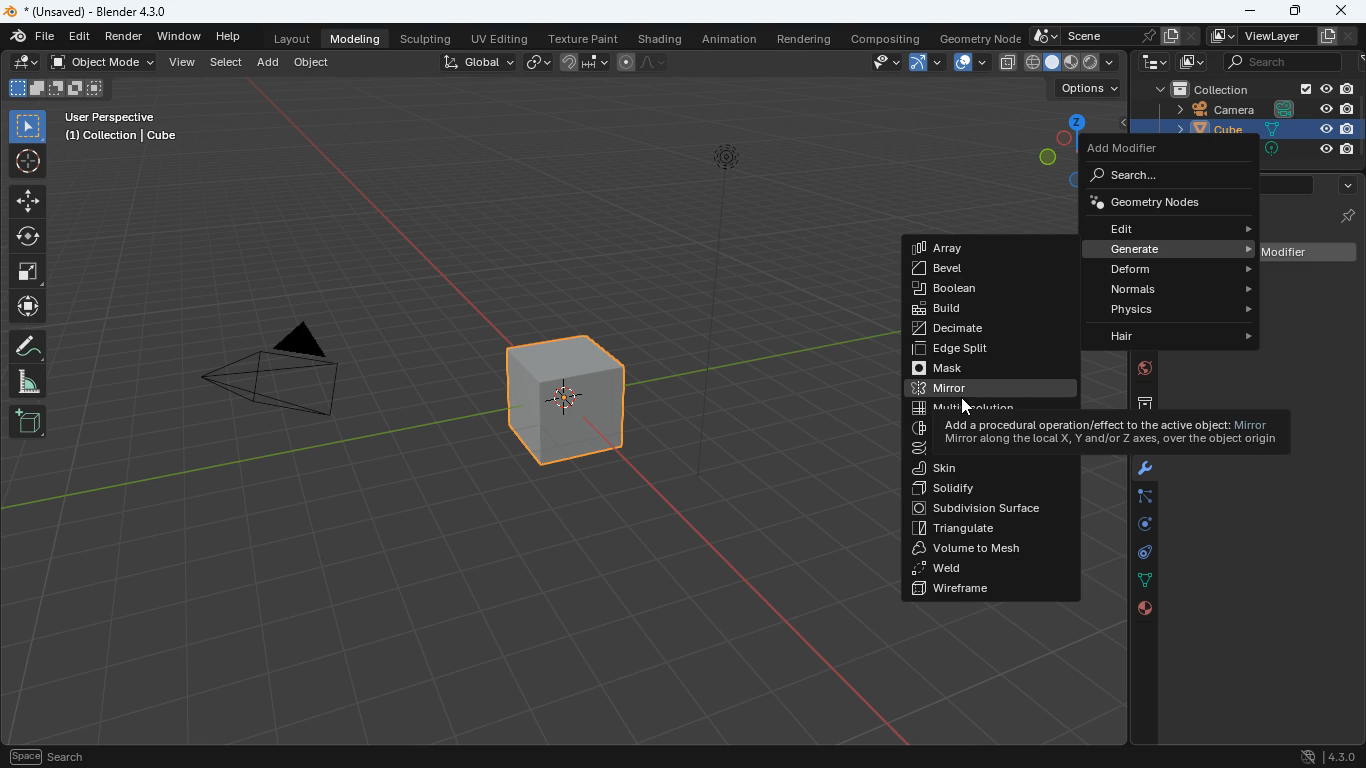 The width and height of the screenshot is (1366, 768). What do you see at coordinates (1347, 108) in the screenshot?
I see `` at bounding box center [1347, 108].